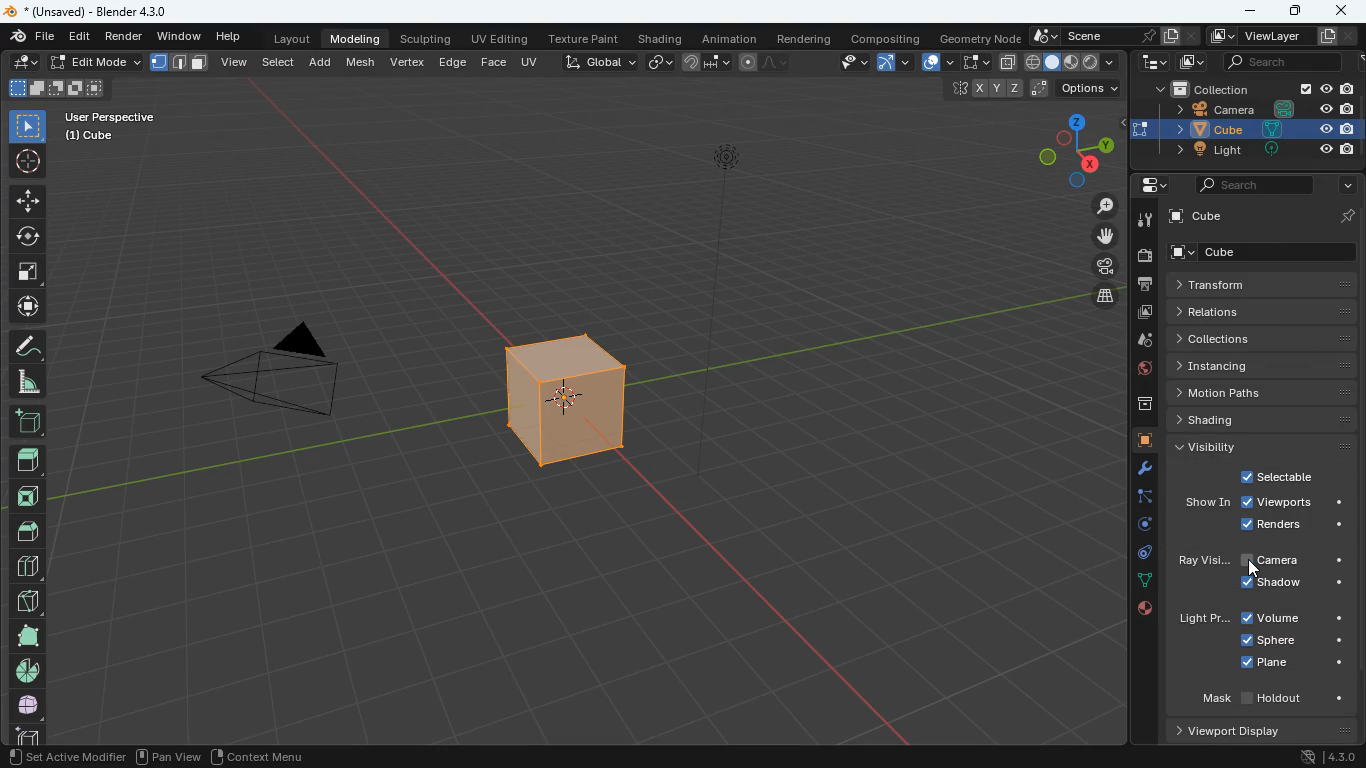 This screenshot has width=1366, height=768. What do you see at coordinates (1323, 758) in the screenshot?
I see `version` at bounding box center [1323, 758].